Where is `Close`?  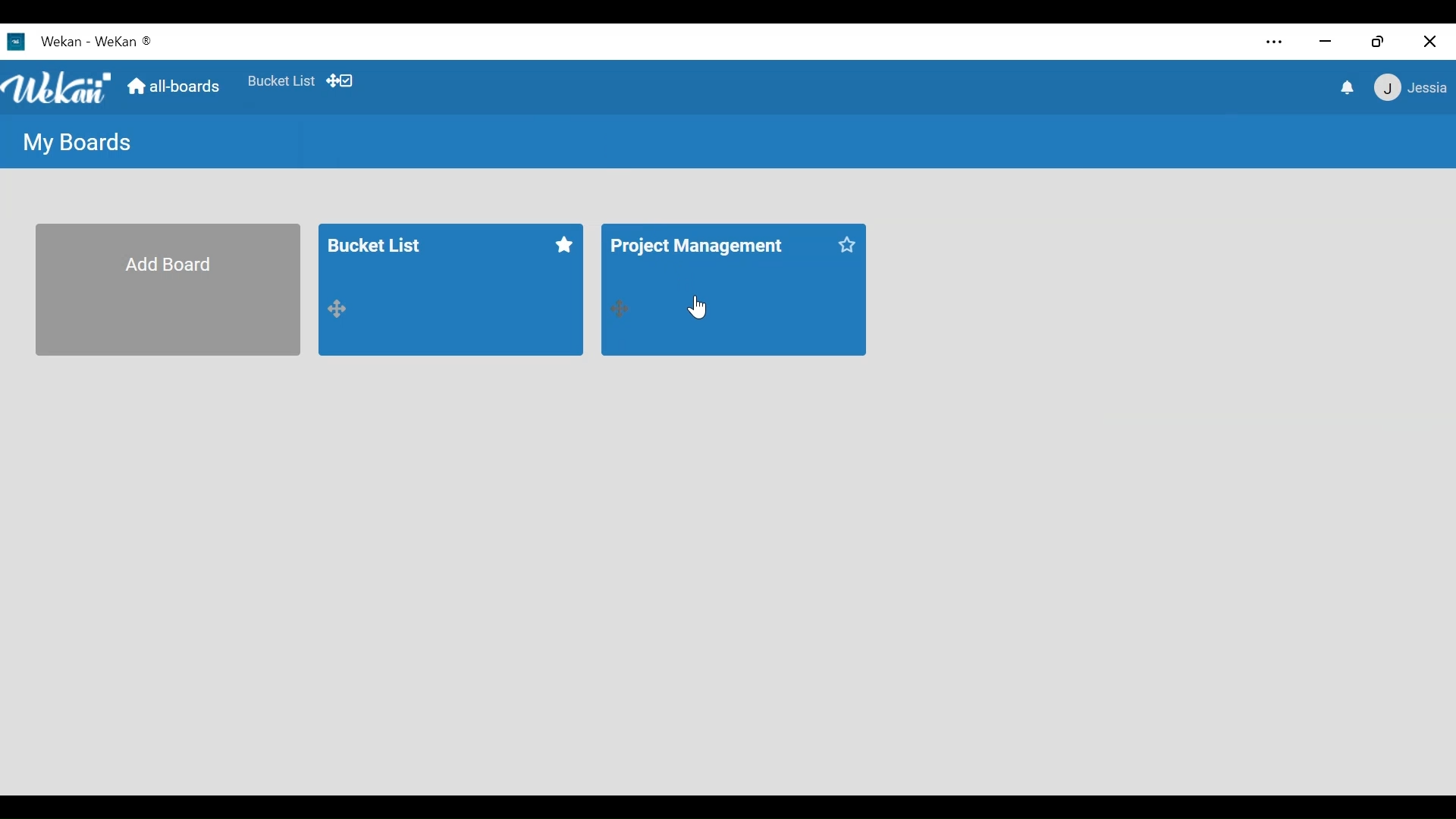 Close is located at coordinates (1428, 42).